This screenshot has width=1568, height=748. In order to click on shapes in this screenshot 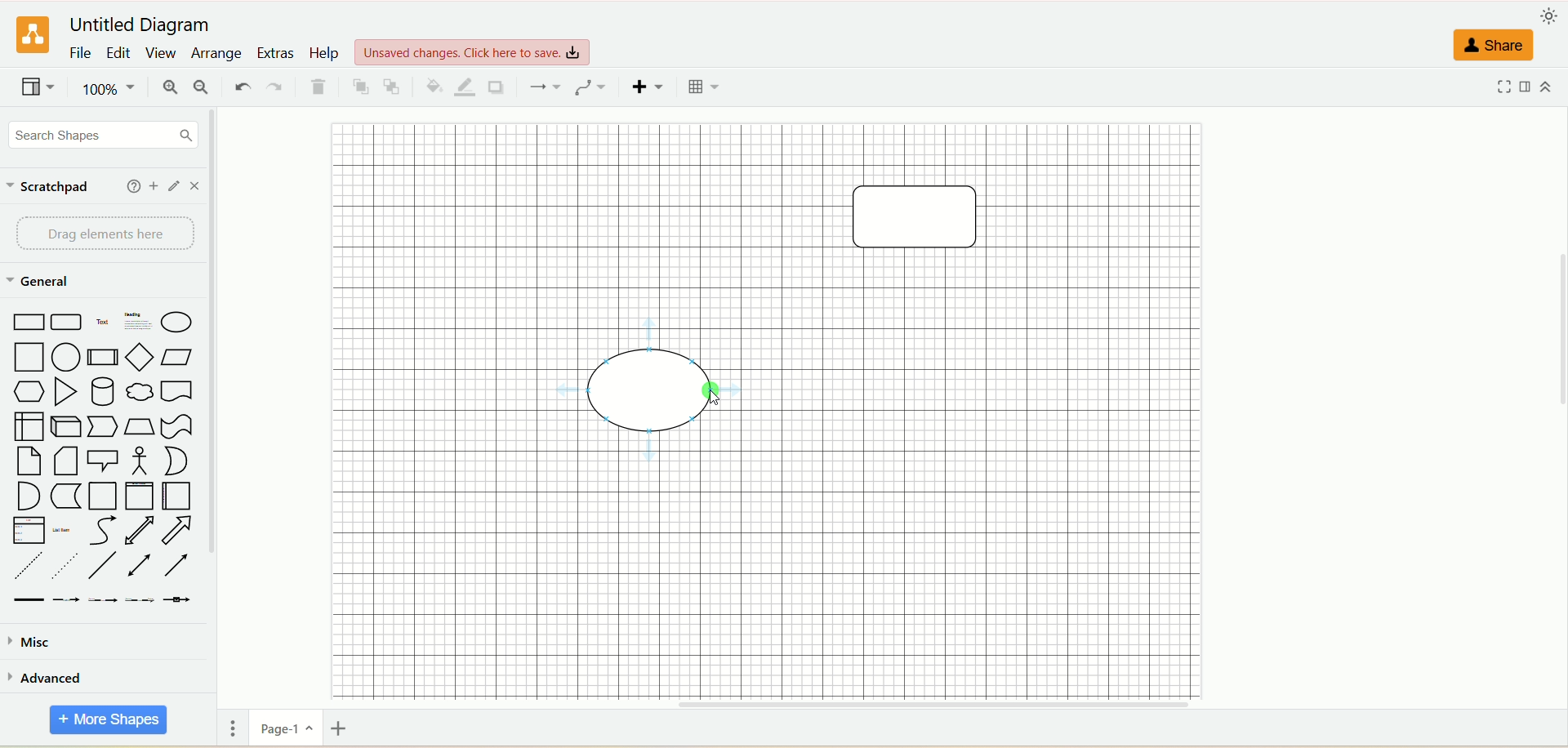, I will do `click(100, 456)`.